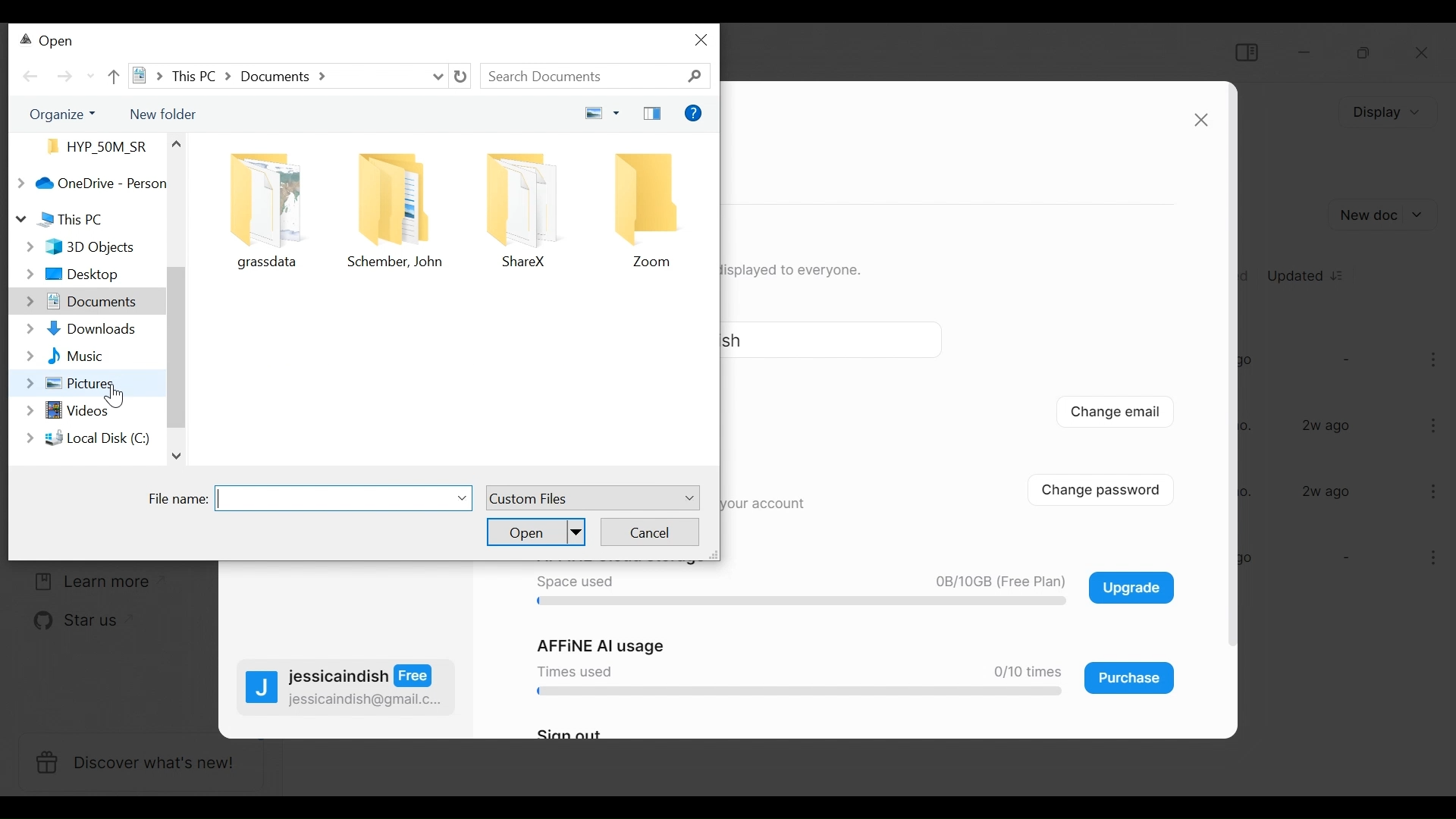  What do you see at coordinates (1200, 121) in the screenshot?
I see `close` at bounding box center [1200, 121].